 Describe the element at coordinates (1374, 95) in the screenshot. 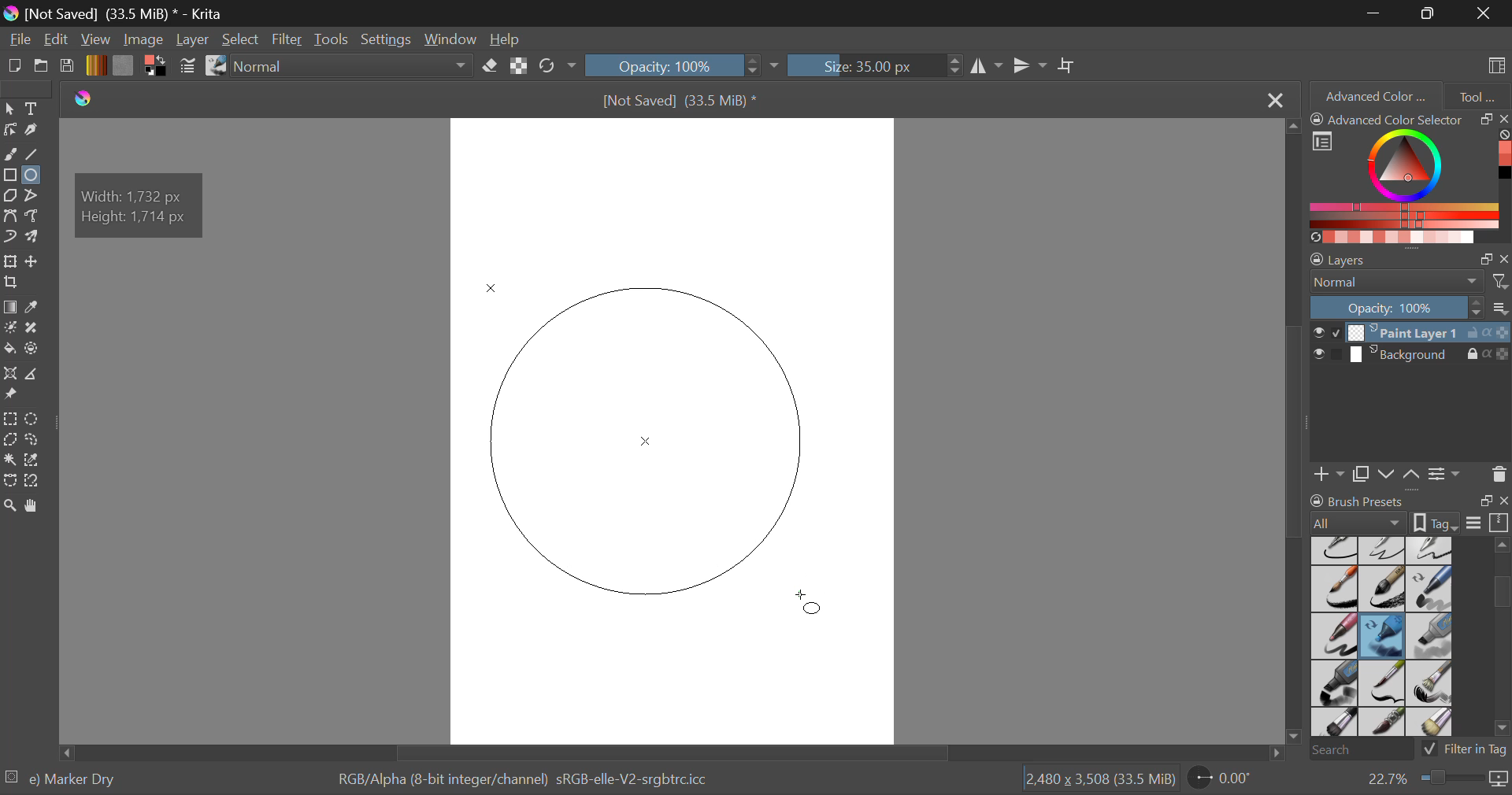

I see `Advanced Color Selector Tab Open` at that location.